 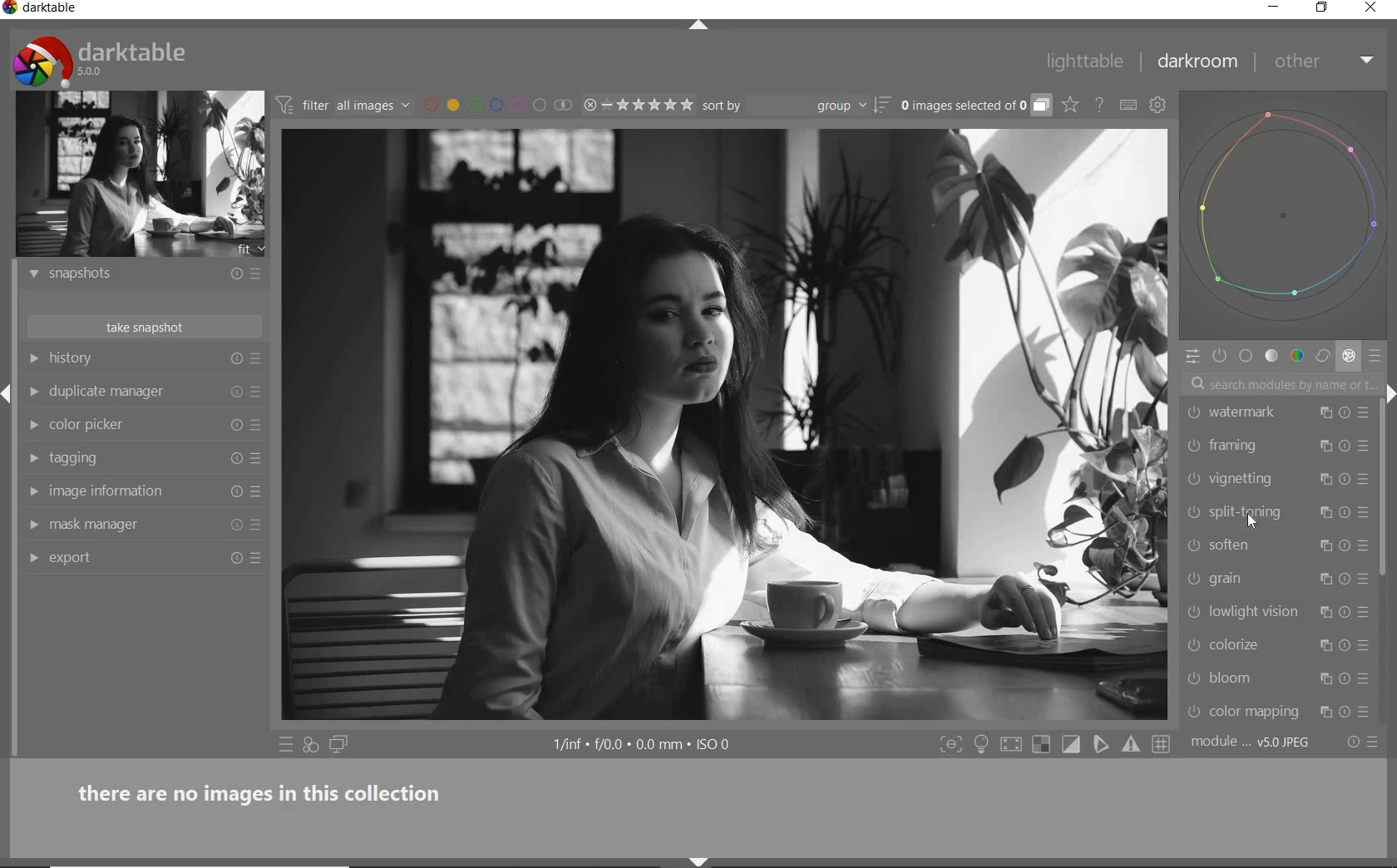 I want to click on shift+ctrl+b, so click(x=699, y=862).